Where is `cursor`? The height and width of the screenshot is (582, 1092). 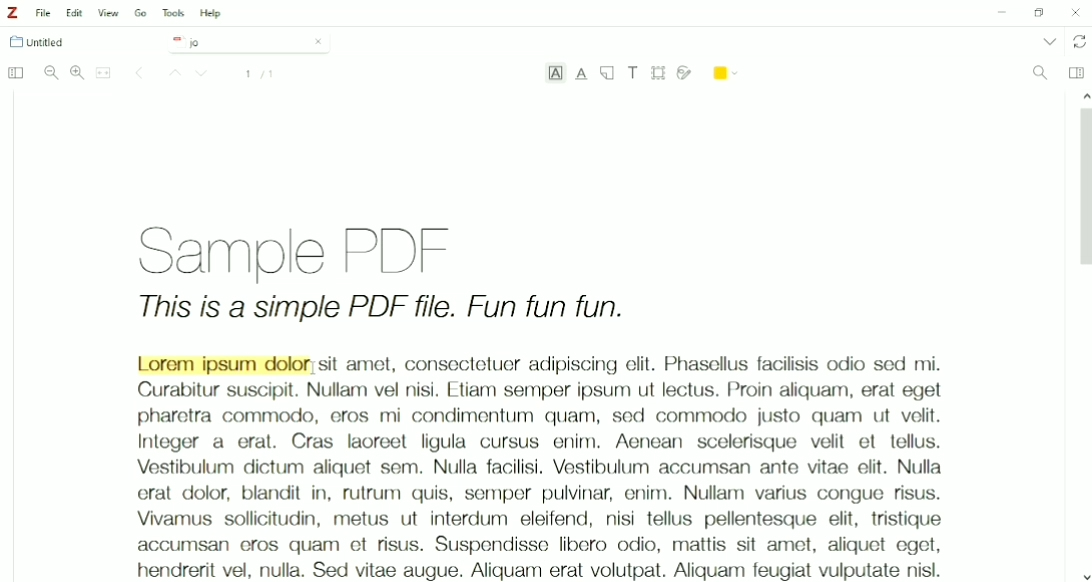
cursor is located at coordinates (314, 368).